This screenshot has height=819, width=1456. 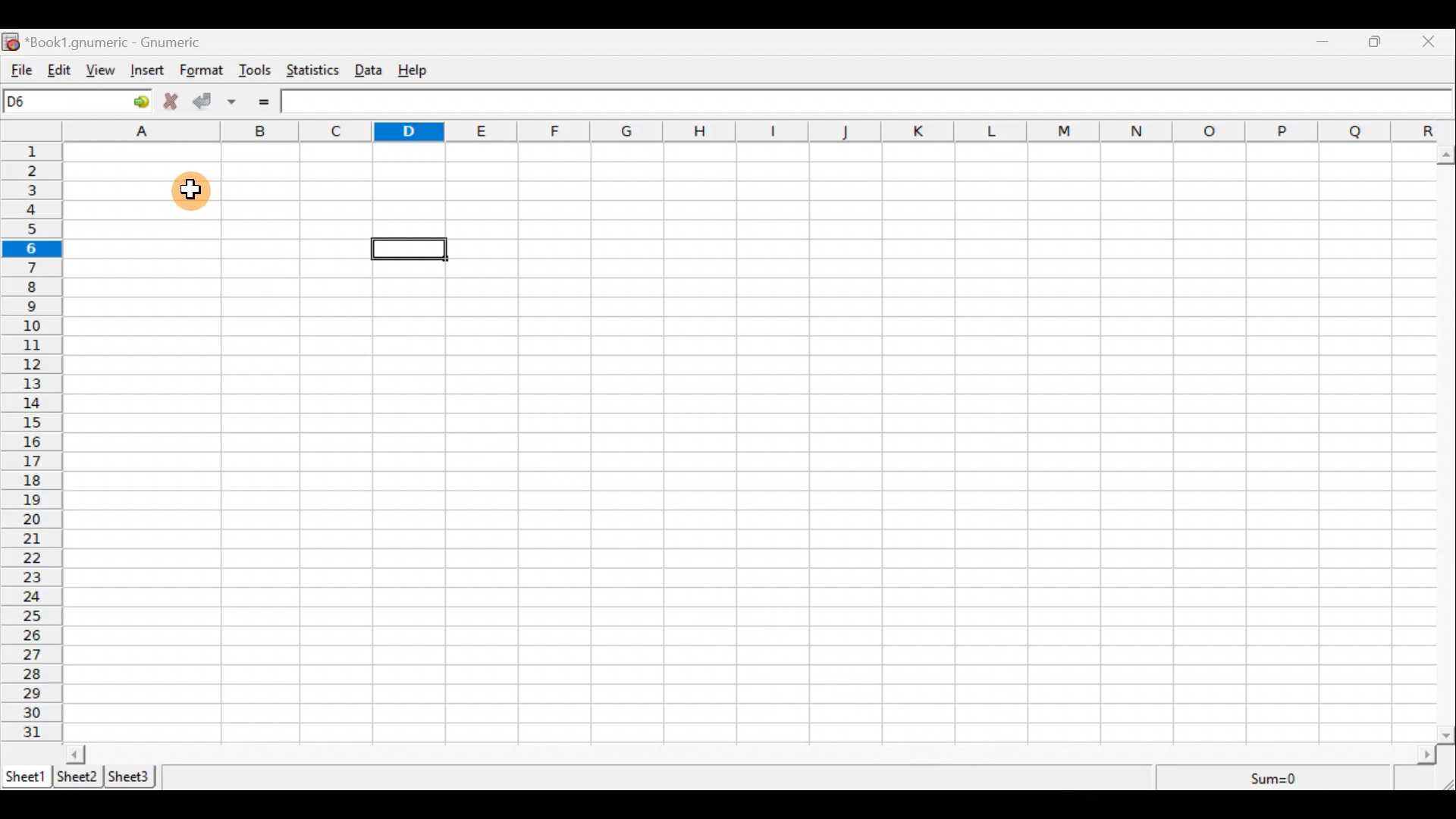 I want to click on Cursor hovering on cell A3, so click(x=187, y=190).